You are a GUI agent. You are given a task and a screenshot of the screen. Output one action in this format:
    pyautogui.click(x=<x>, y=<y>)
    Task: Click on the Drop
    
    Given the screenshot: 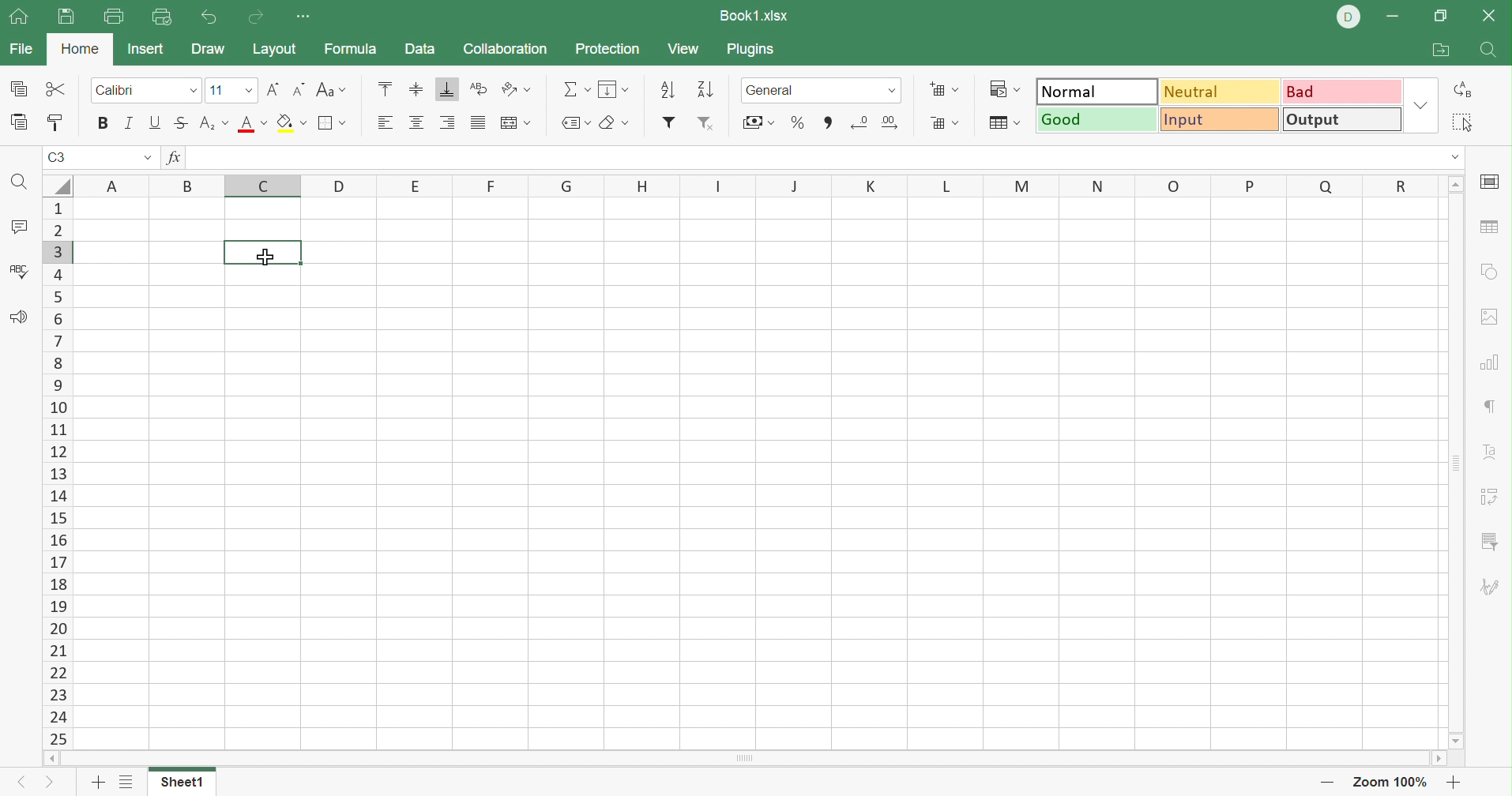 What is the action you would take?
    pyautogui.click(x=1420, y=104)
    